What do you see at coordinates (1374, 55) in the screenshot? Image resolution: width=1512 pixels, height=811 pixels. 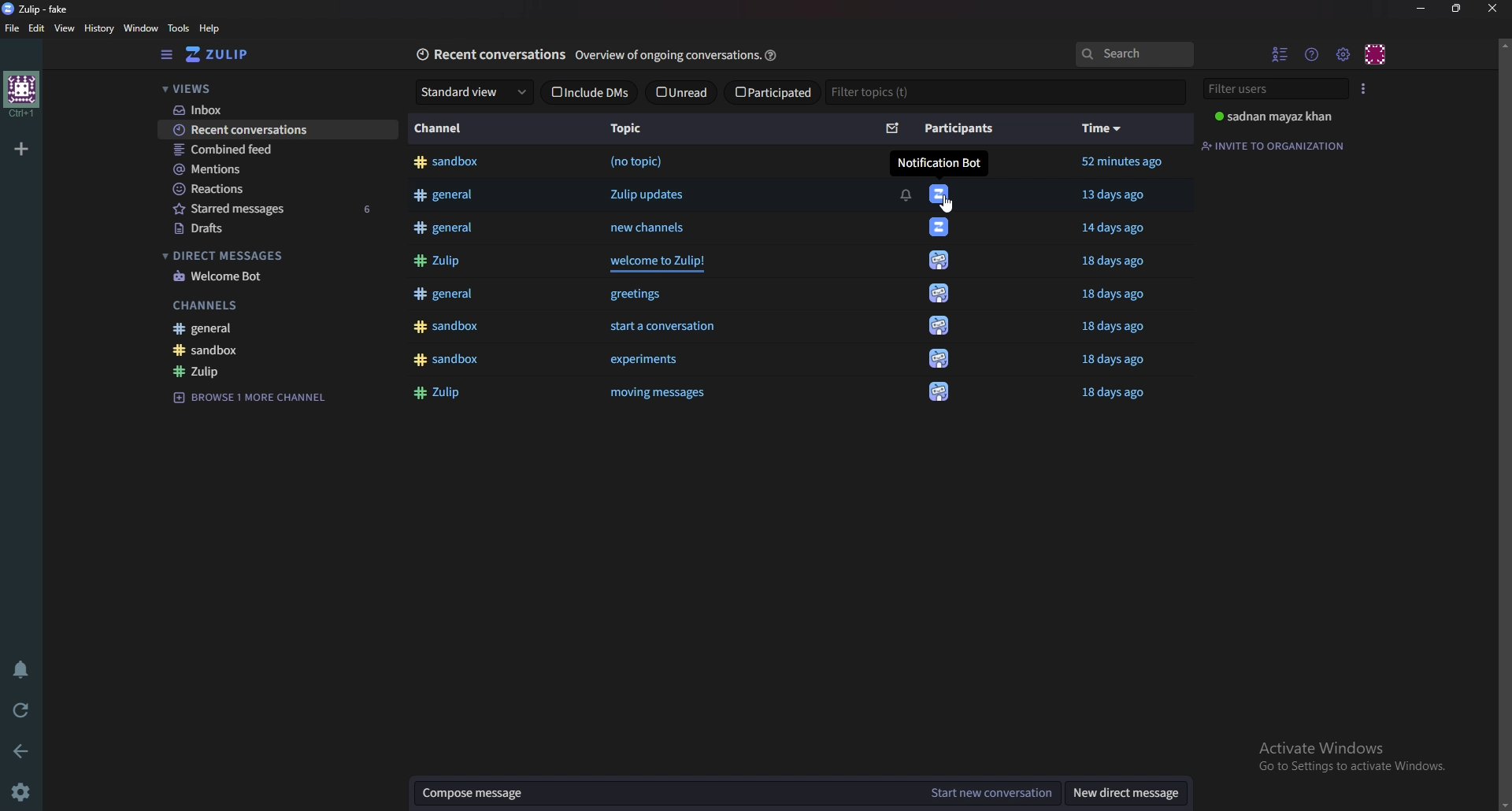 I see `Personal menu` at bounding box center [1374, 55].